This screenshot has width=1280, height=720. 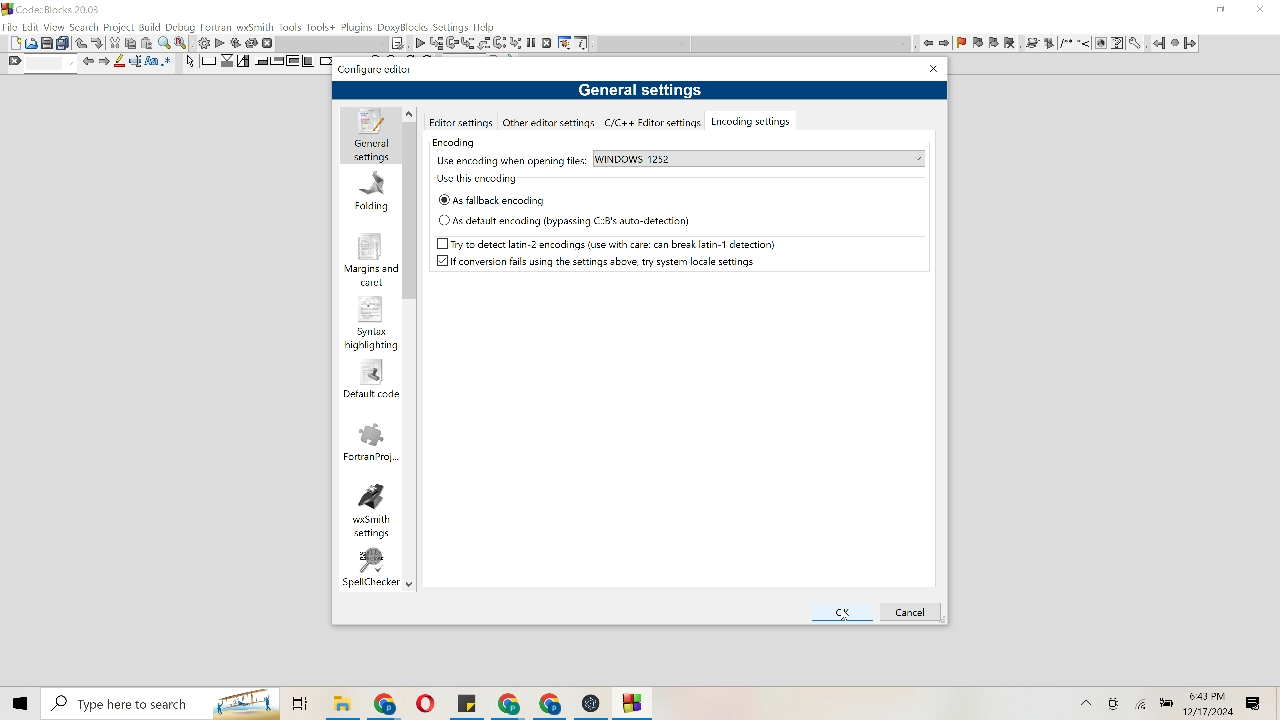 What do you see at coordinates (508, 703) in the screenshot?
I see `File` at bounding box center [508, 703].